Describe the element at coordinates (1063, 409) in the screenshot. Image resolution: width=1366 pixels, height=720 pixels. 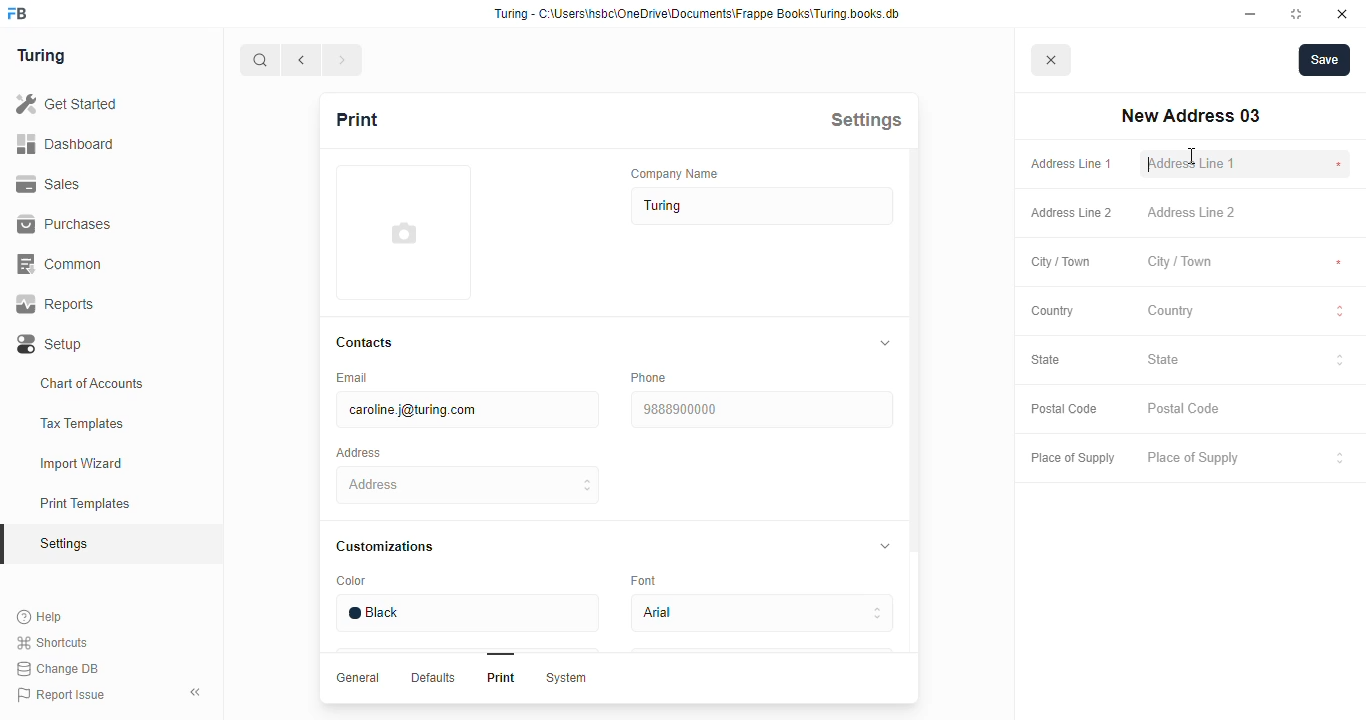
I see `postal code` at that location.